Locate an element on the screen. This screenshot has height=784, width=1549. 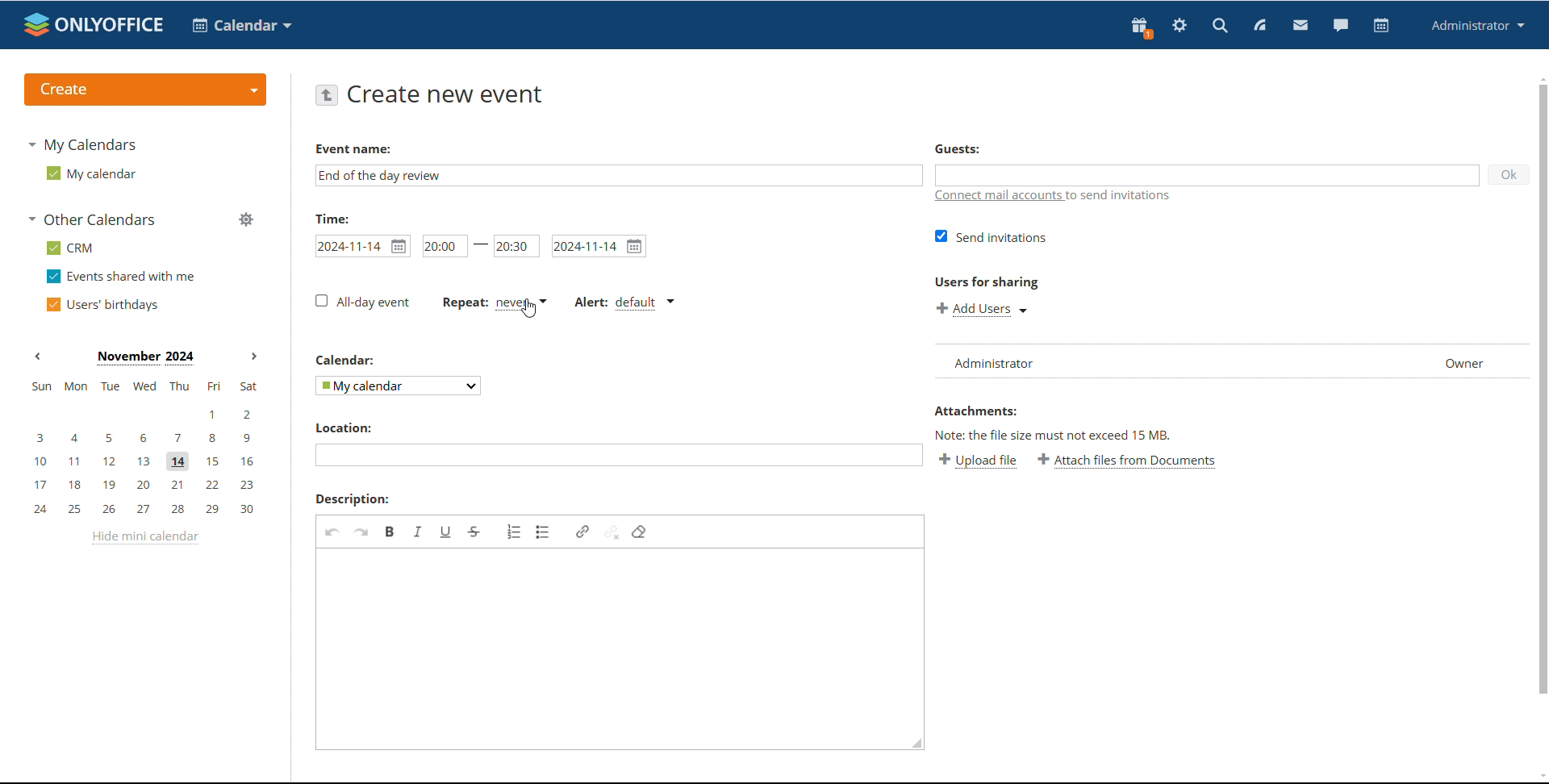
send invitations is located at coordinates (992, 236).